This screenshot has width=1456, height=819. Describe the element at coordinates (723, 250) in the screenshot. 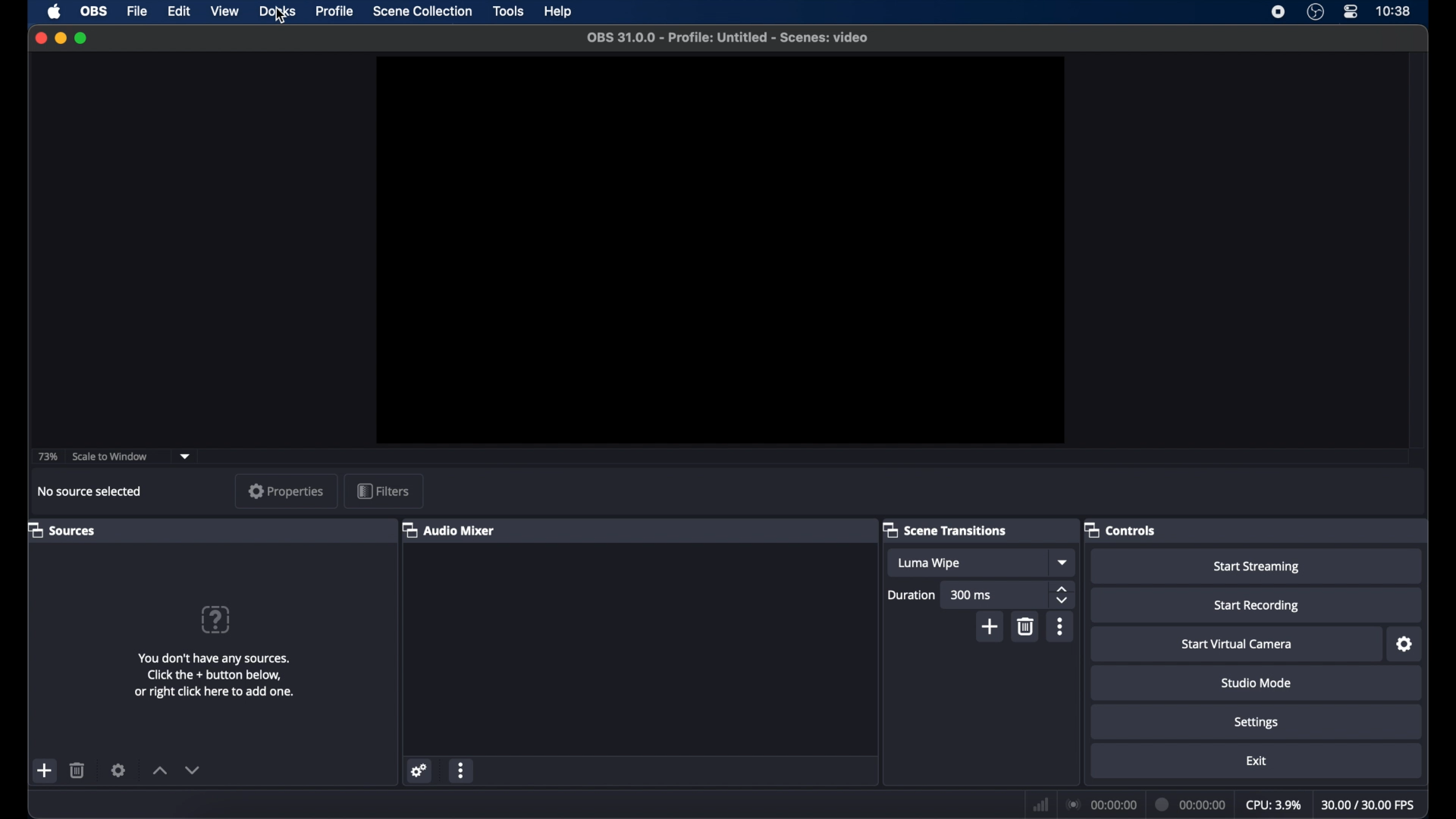

I see `preview` at that location.